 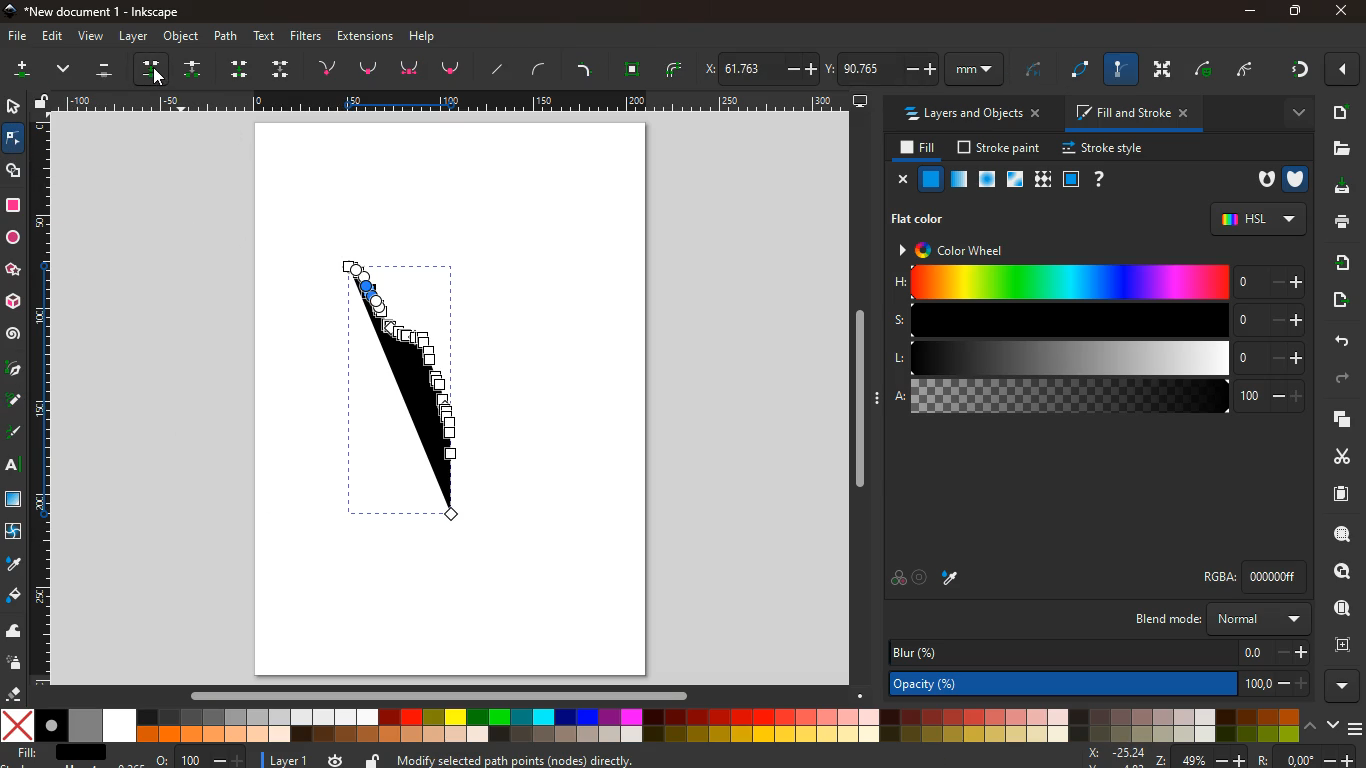 I want to click on paint, so click(x=15, y=597).